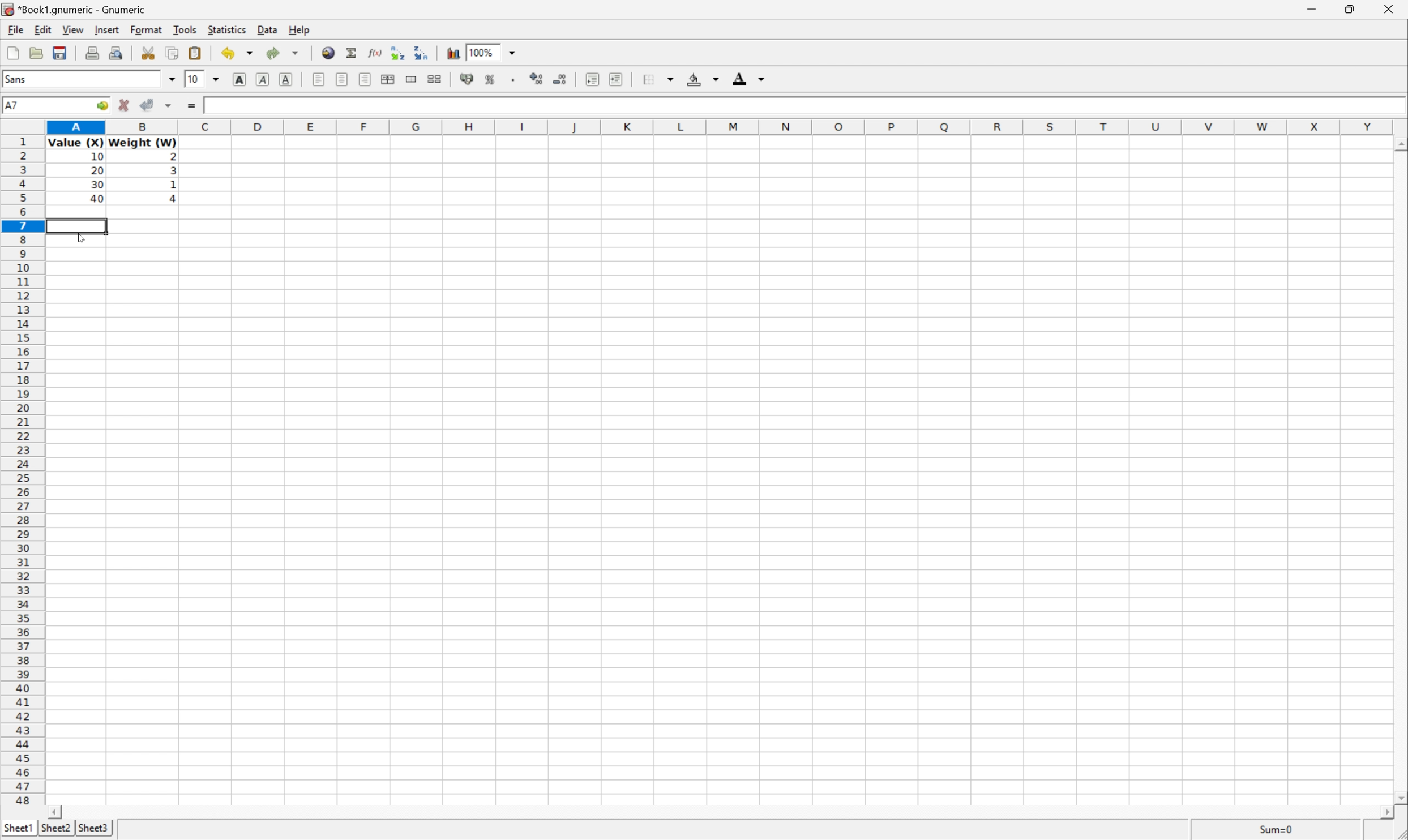 The height and width of the screenshot is (840, 1408). What do you see at coordinates (18, 828) in the screenshot?
I see `Sheet1` at bounding box center [18, 828].